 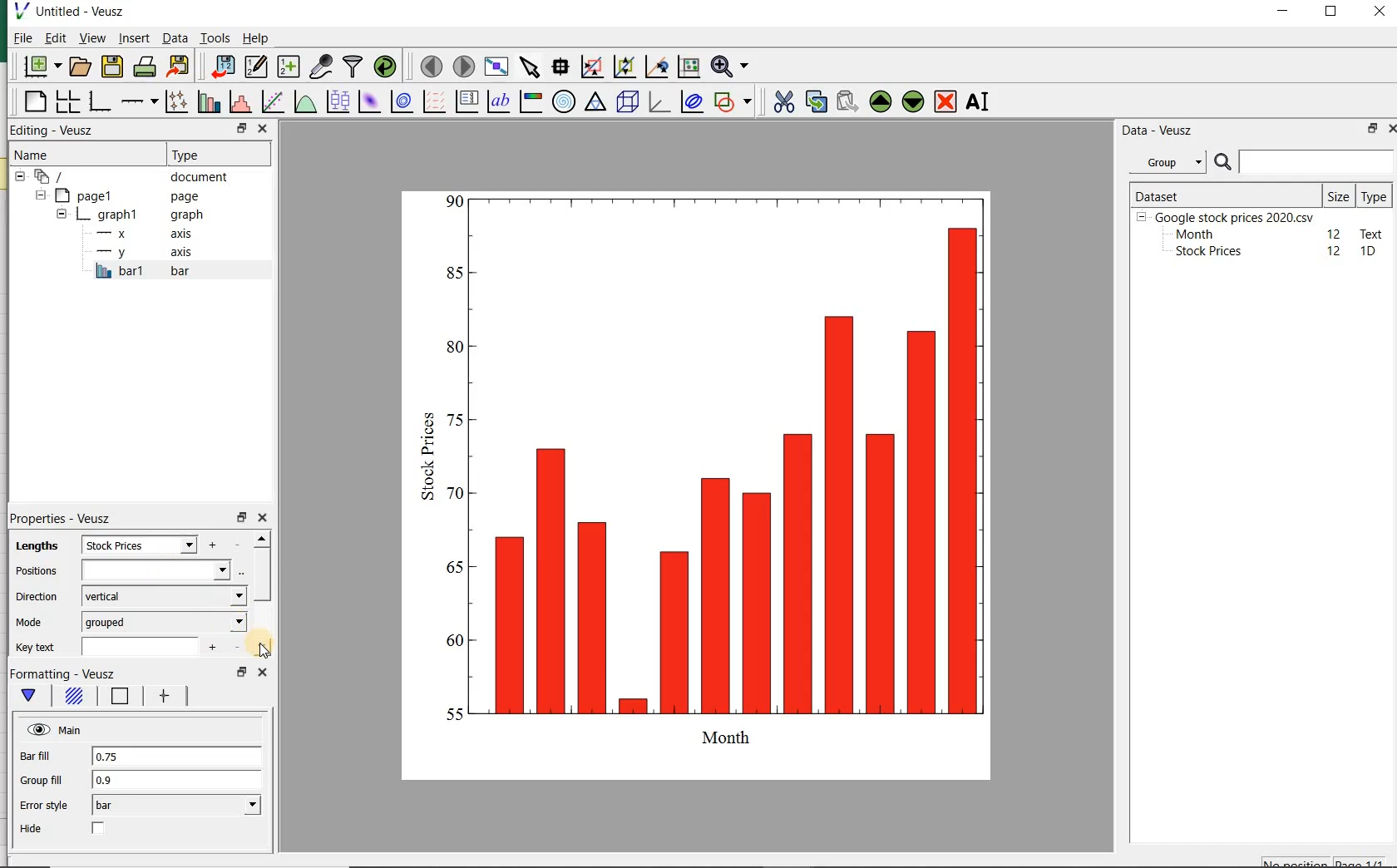 I want to click on image color bar, so click(x=529, y=101).